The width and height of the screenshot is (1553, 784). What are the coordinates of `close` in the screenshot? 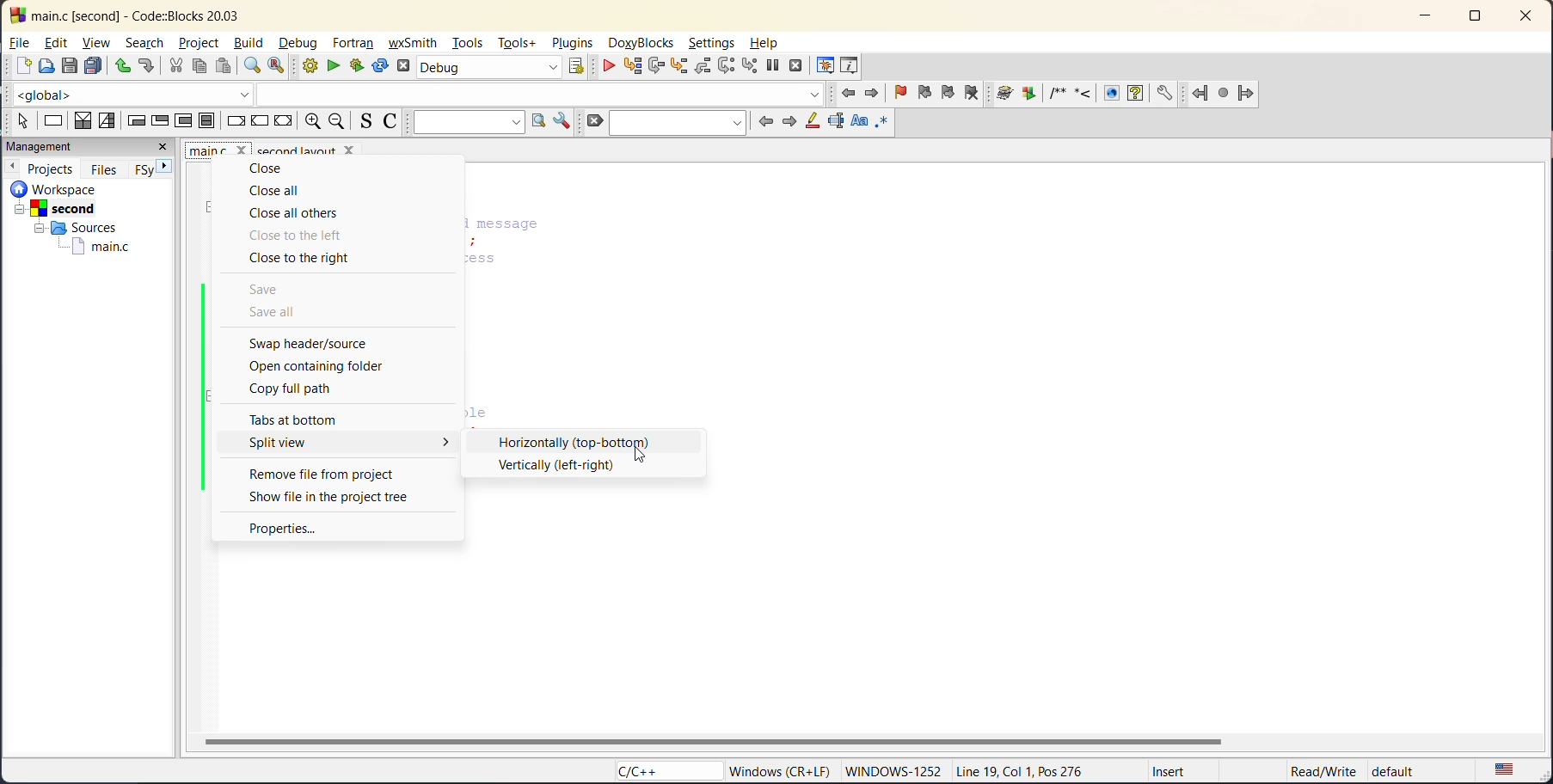 It's located at (164, 149).